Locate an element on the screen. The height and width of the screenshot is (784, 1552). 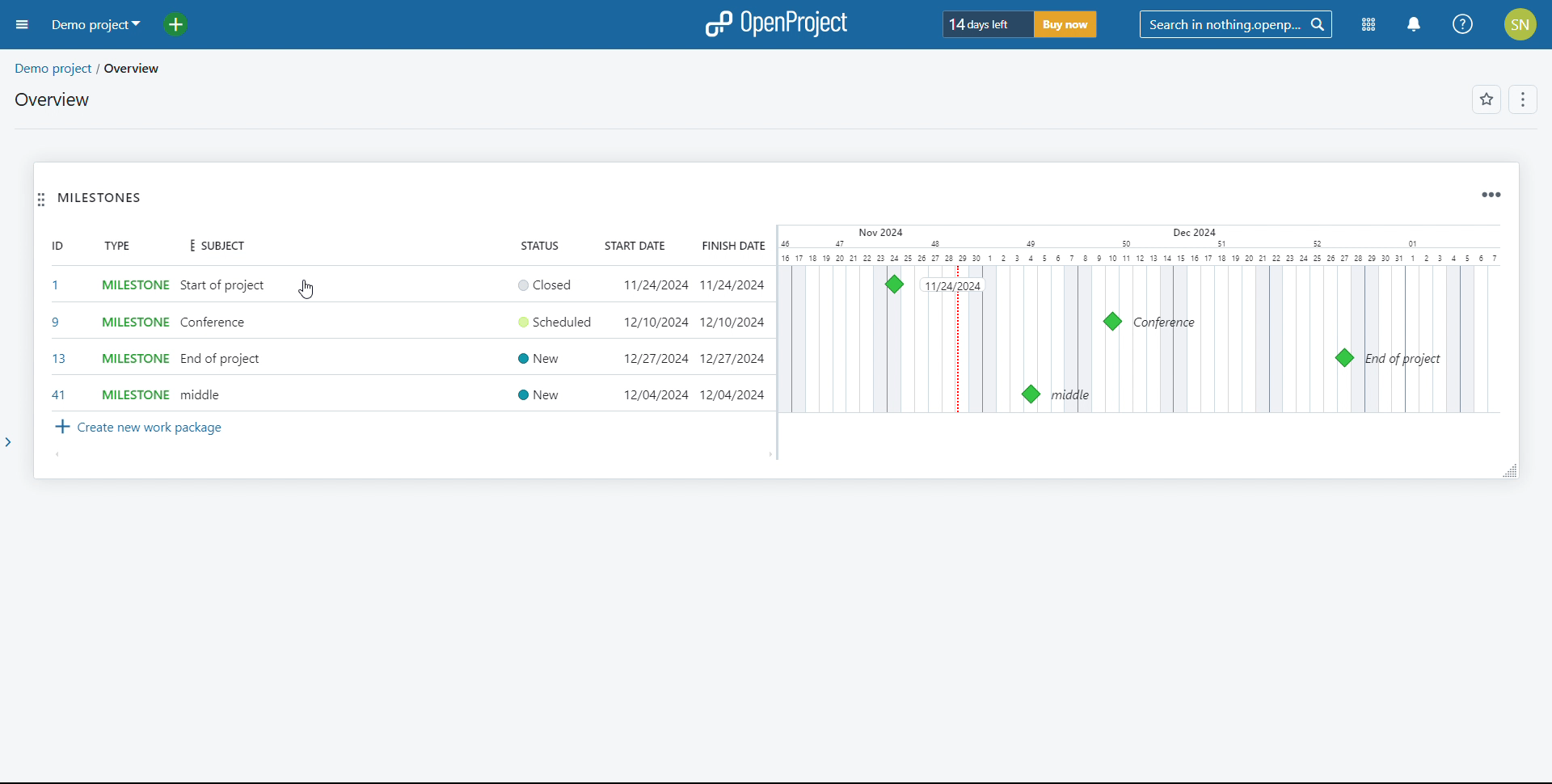
cursor is located at coordinates (305, 289).